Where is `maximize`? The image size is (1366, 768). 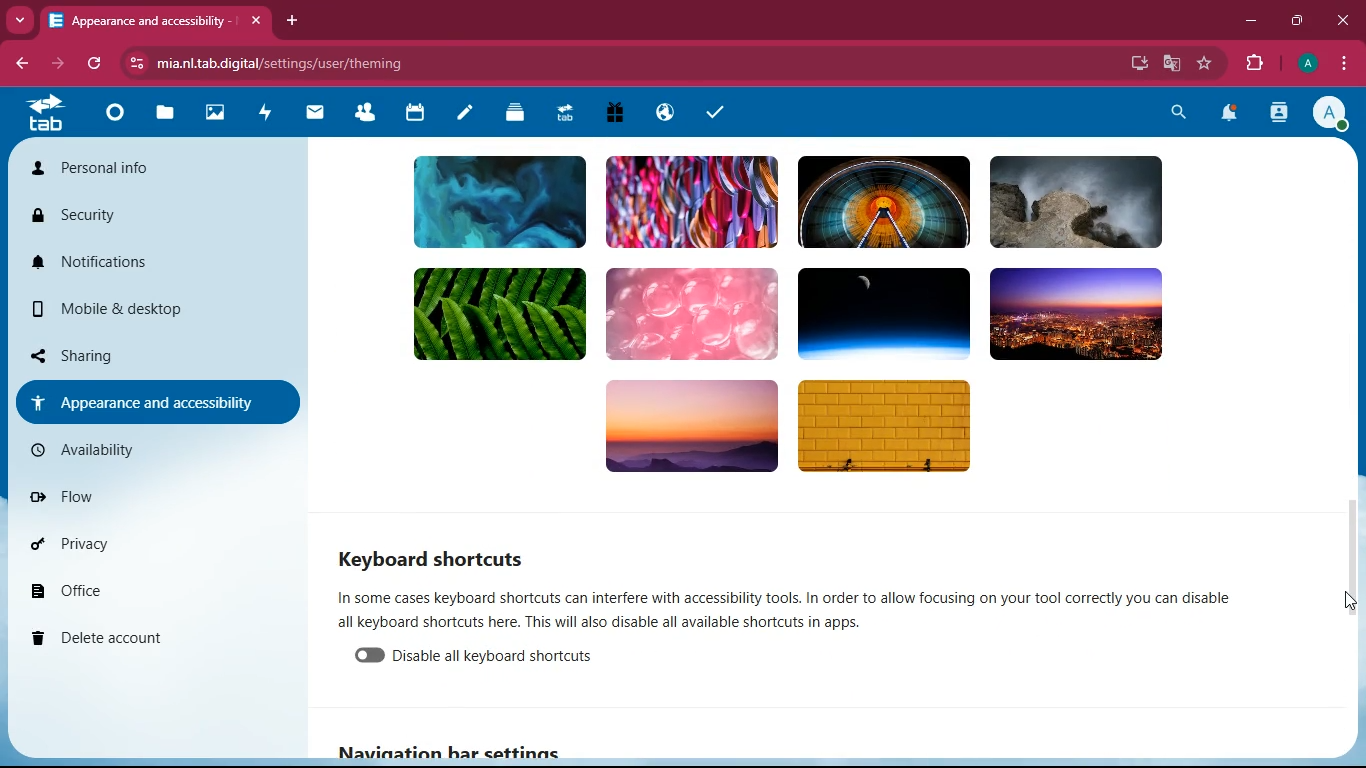 maximize is located at coordinates (1297, 22).